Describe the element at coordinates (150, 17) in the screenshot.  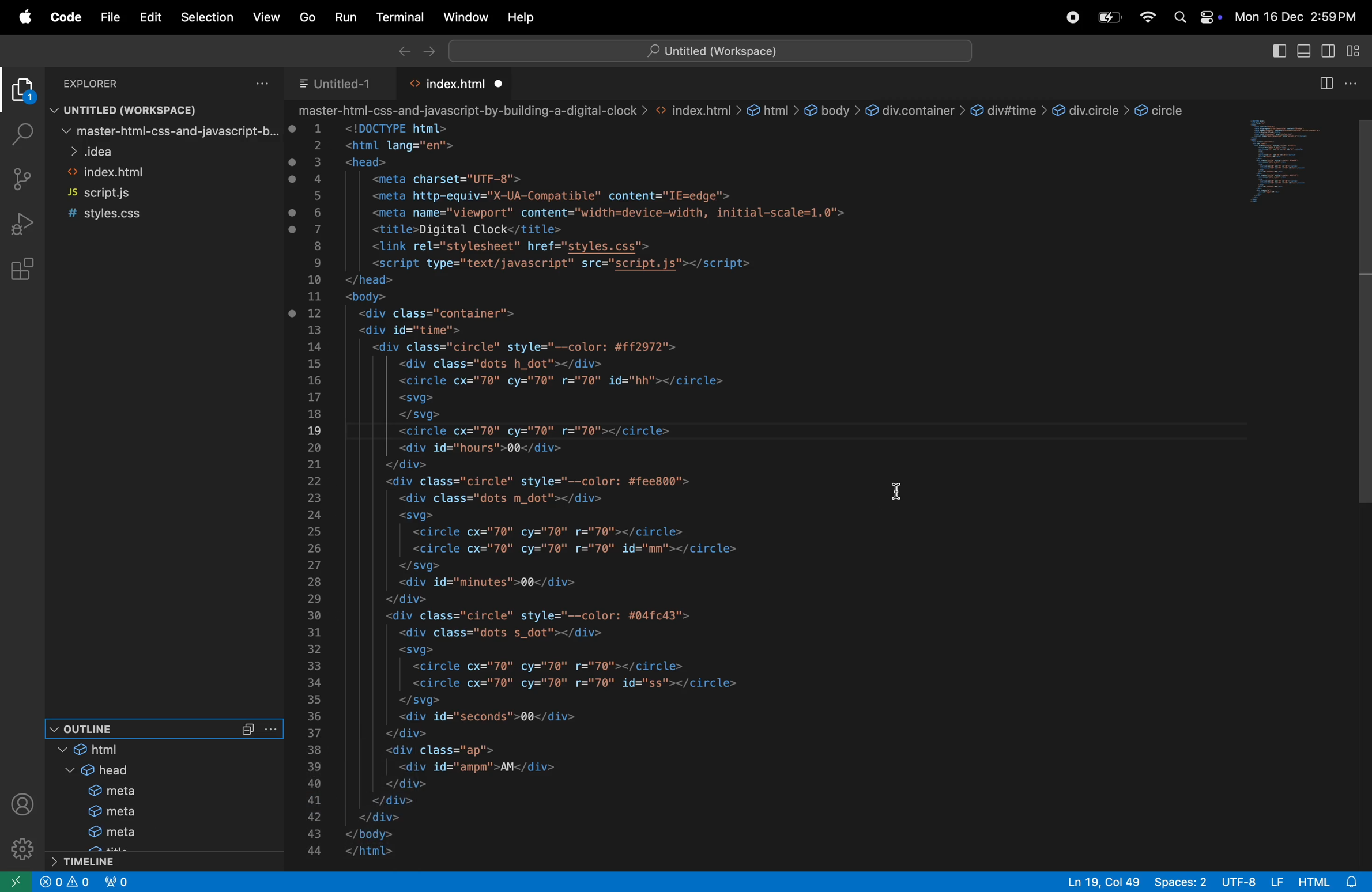
I see `edit` at that location.